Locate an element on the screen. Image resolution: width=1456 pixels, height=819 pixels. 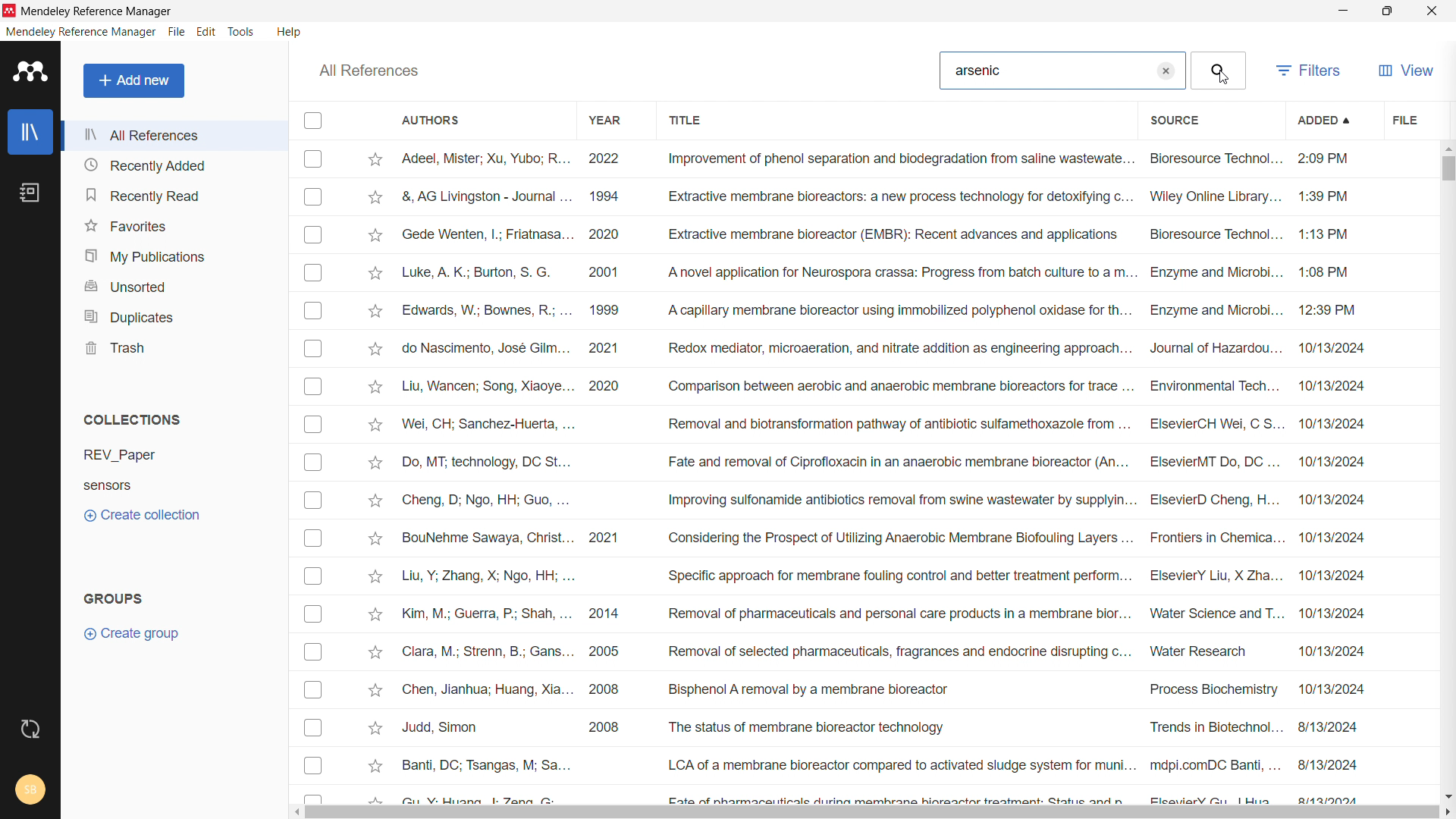
Checkbox is located at coordinates (311, 383).